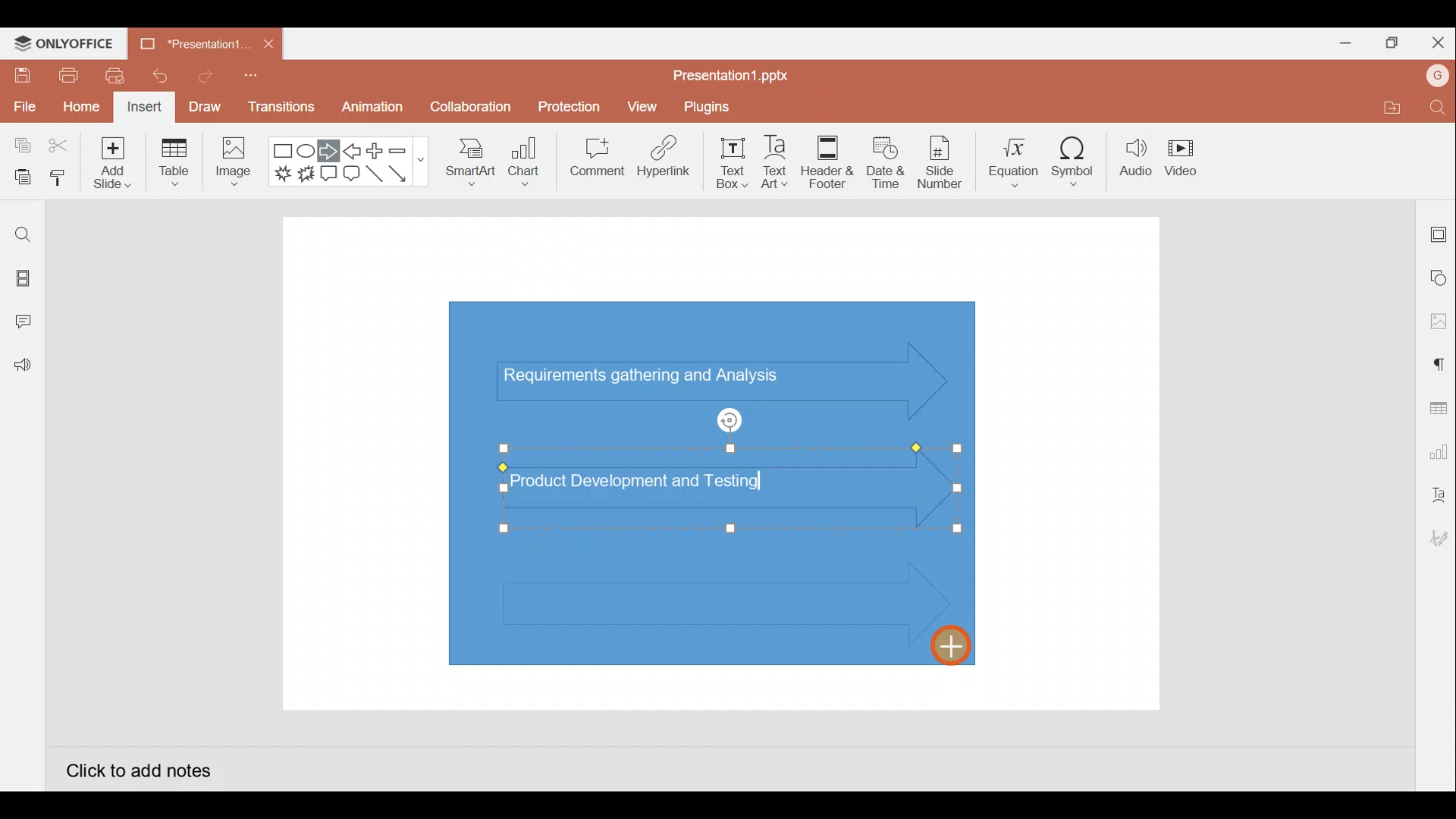 The width and height of the screenshot is (1456, 819). What do you see at coordinates (308, 152) in the screenshot?
I see `Ellipse` at bounding box center [308, 152].